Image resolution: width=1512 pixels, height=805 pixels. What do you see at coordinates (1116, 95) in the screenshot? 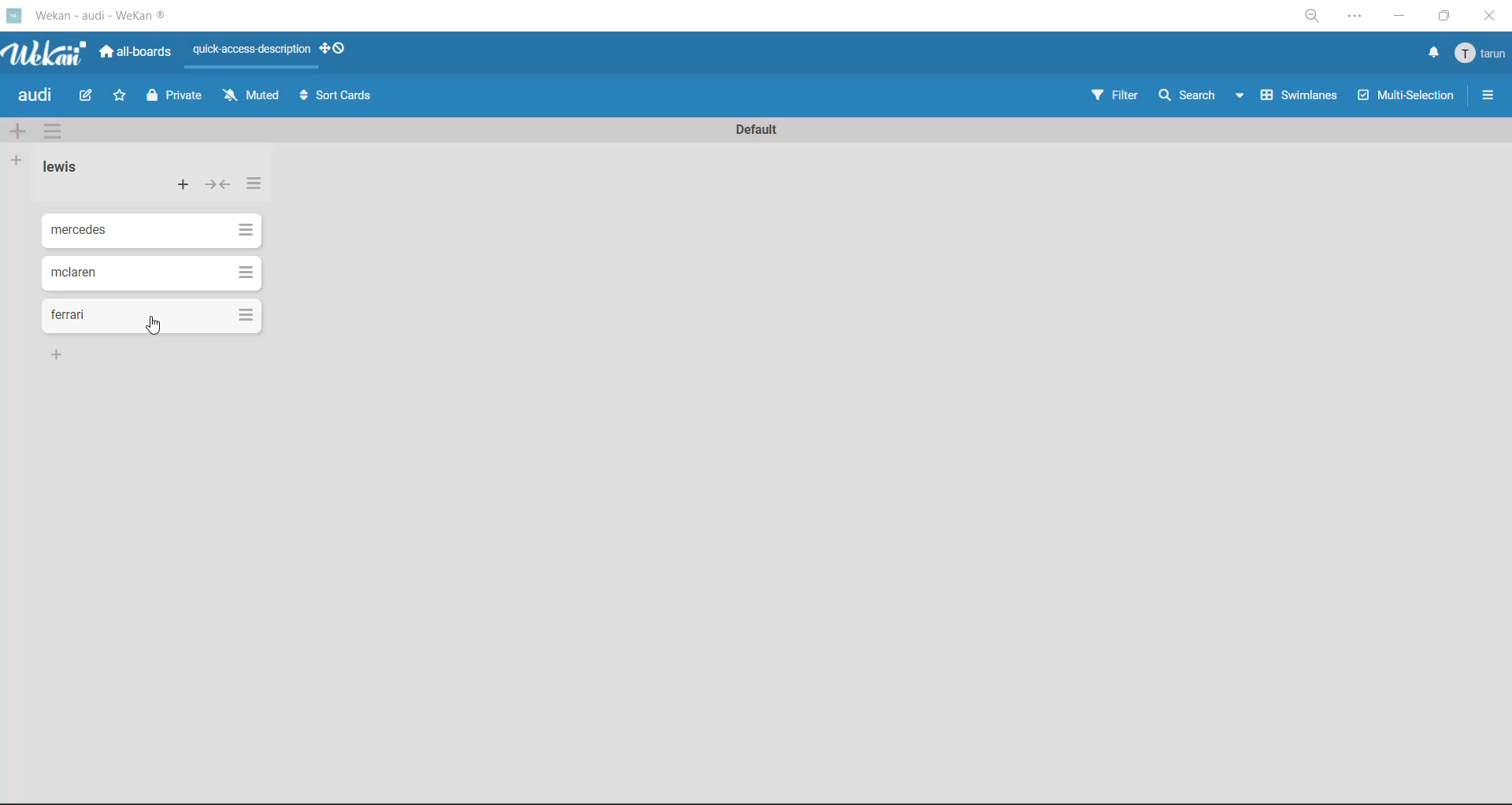
I see `filter` at bounding box center [1116, 95].